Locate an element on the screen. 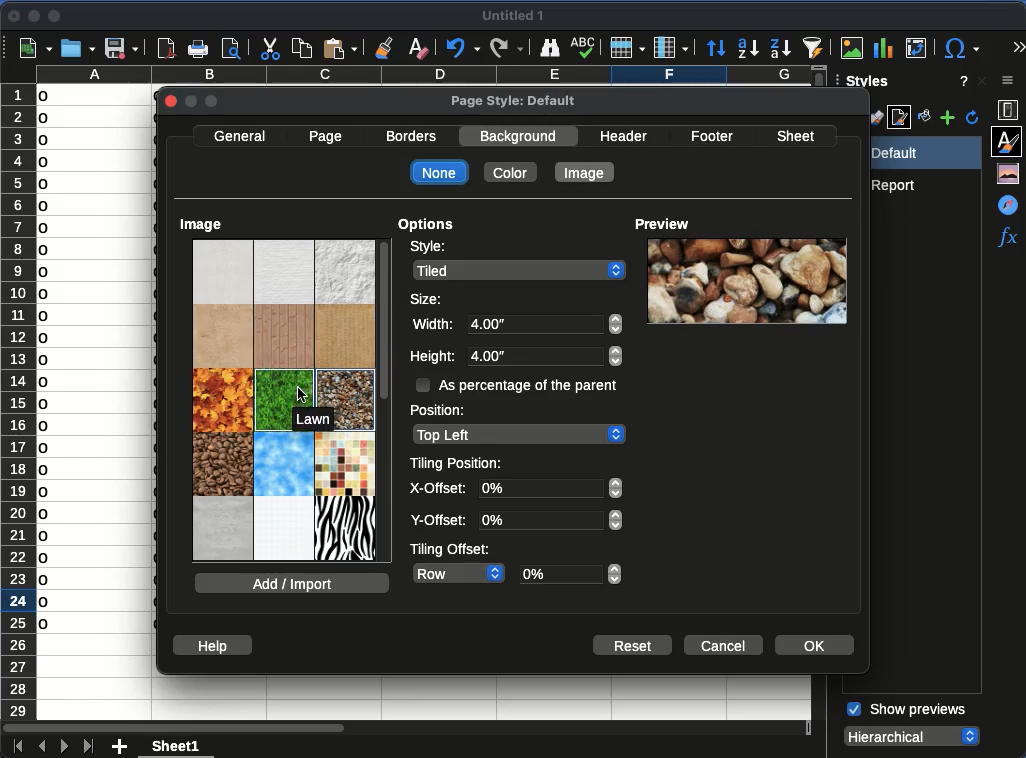 The width and height of the screenshot is (1026, 758). spell check is located at coordinates (583, 48).